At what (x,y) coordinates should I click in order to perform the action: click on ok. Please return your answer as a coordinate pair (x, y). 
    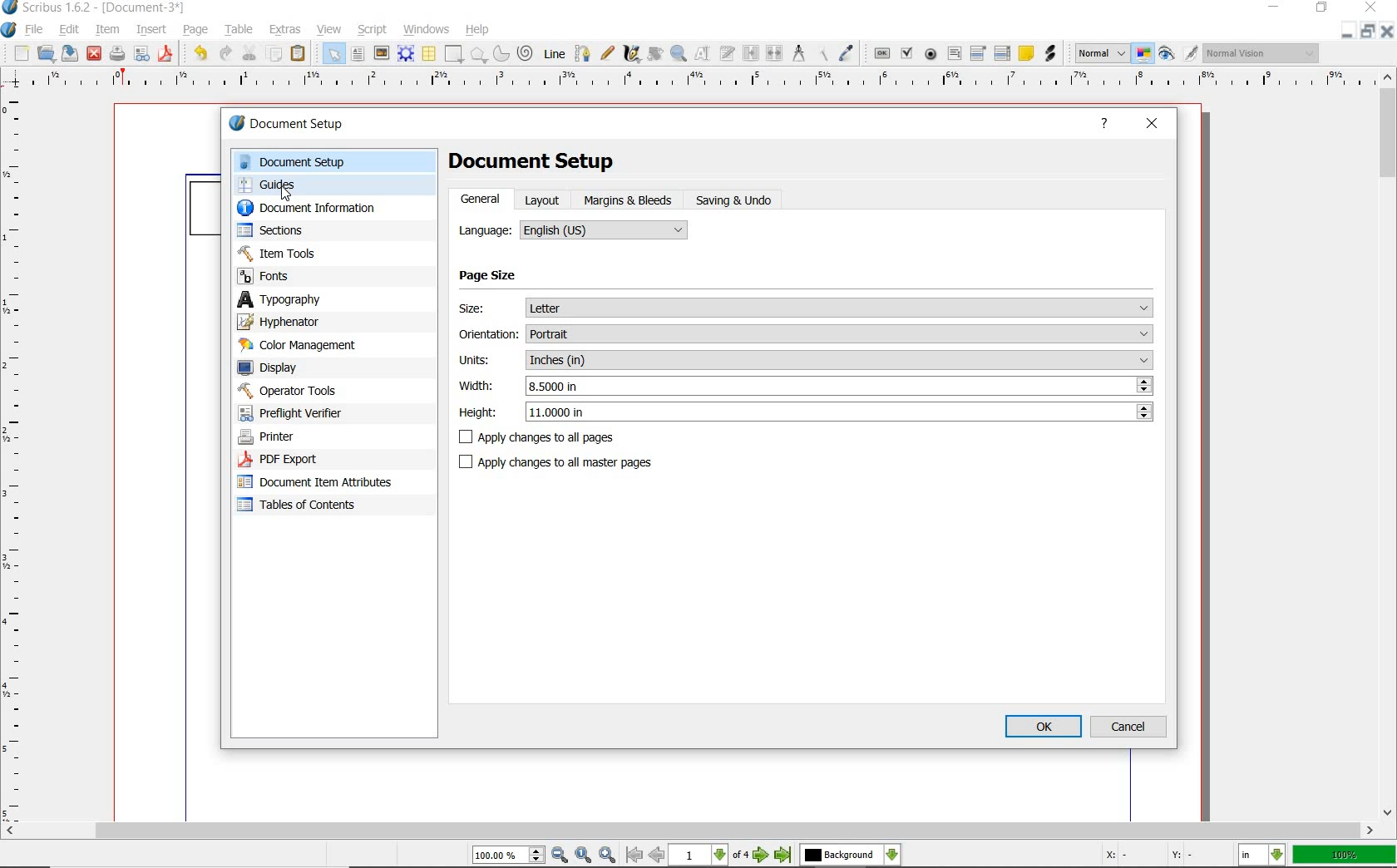
    Looking at the image, I should click on (1044, 727).